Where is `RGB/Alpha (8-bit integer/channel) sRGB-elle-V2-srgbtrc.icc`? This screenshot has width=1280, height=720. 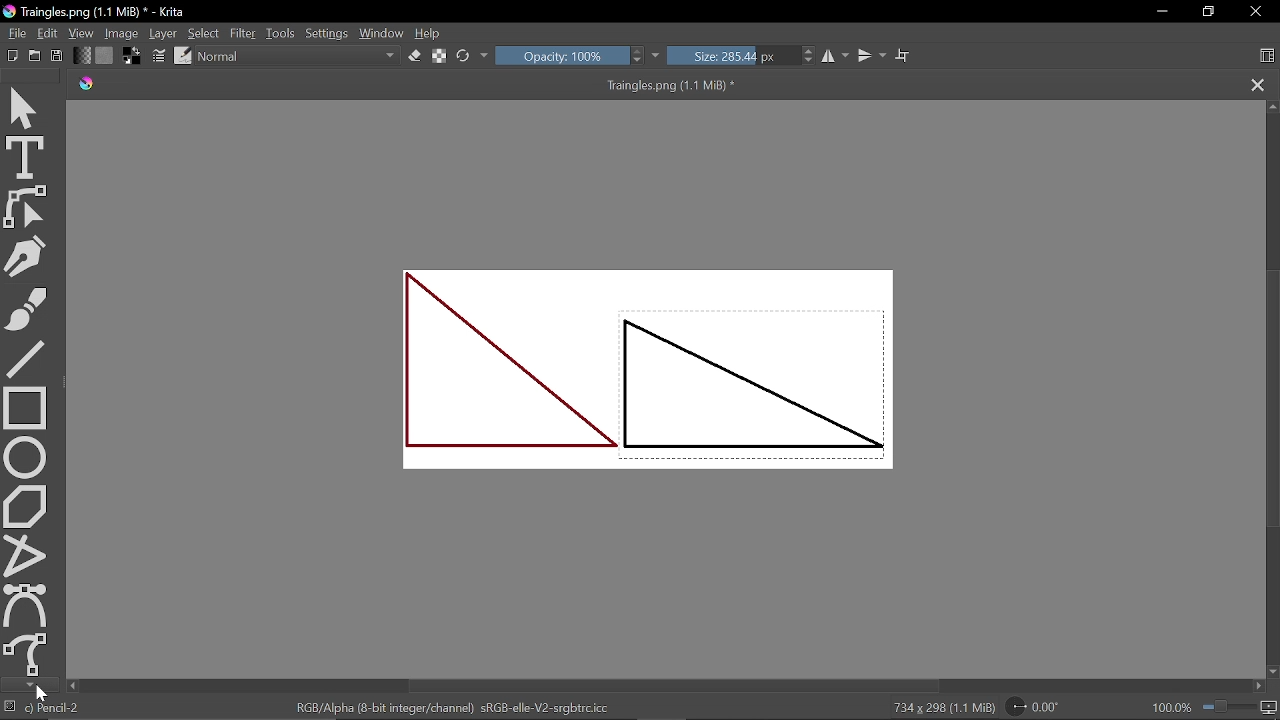
RGB/Alpha (8-bit integer/channel) sRGB-elle-V2-srgbtrc.icc is located at coordinates (455, 706).